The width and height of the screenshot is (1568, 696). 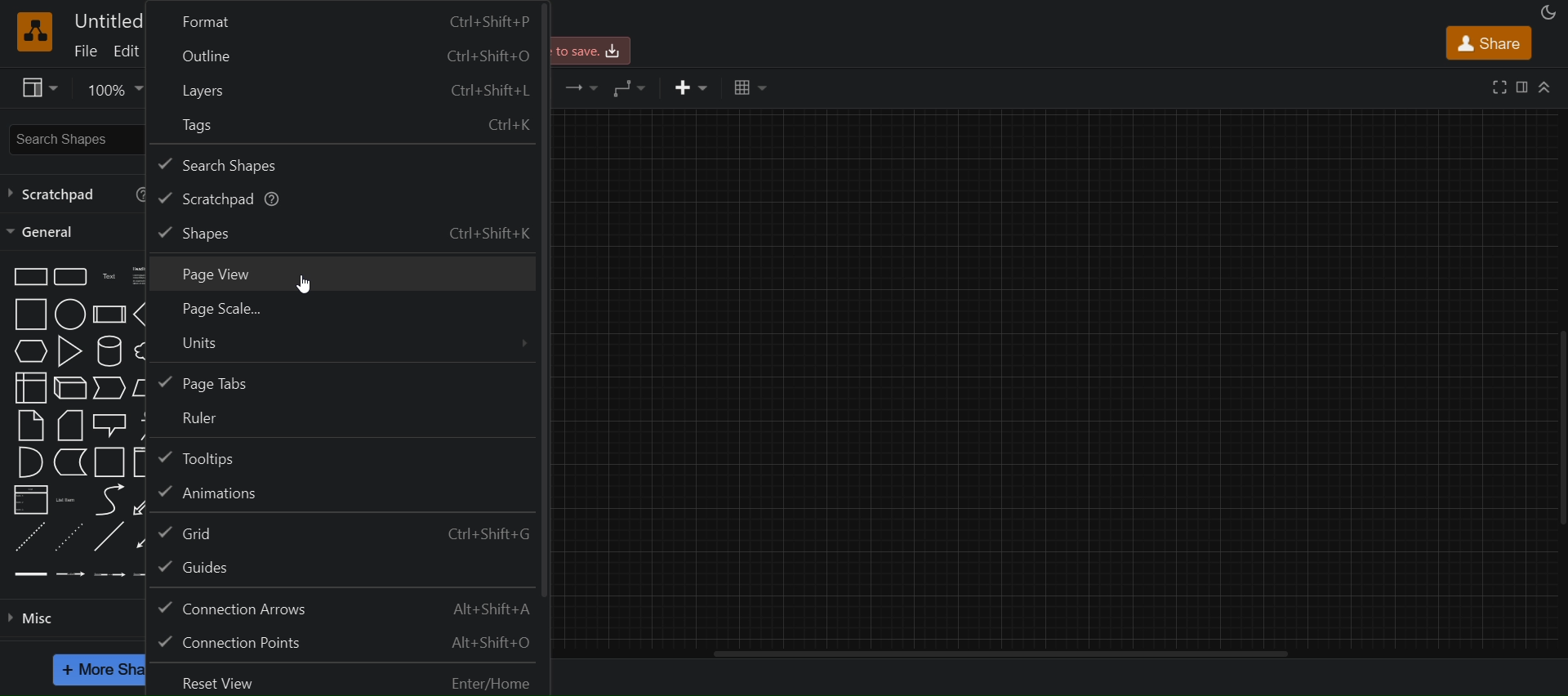 What do you see at coordinates (348, 125) in the screenshot?
I see `tags` at bounding box center [348, 125].